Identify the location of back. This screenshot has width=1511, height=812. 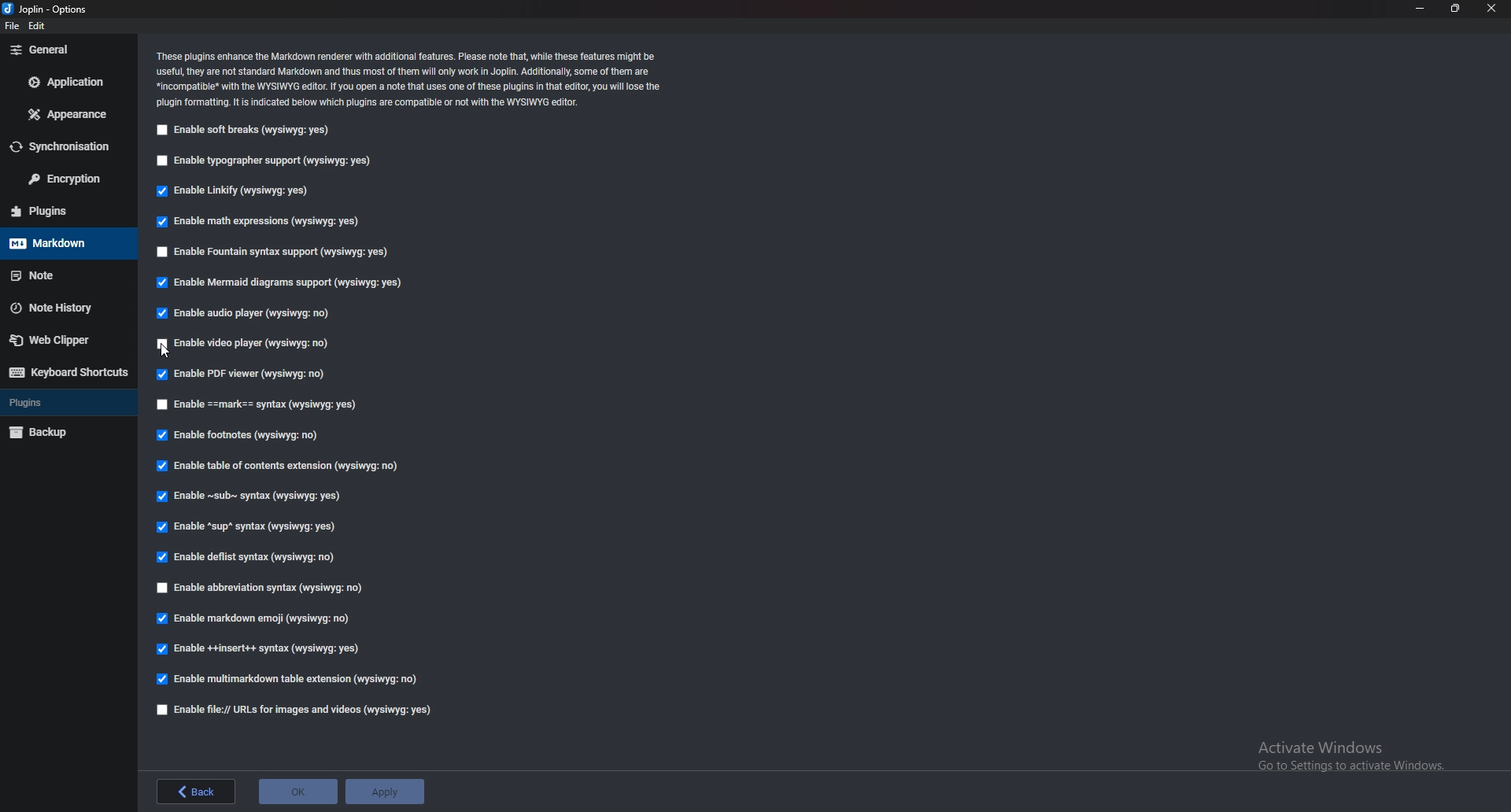
(197, 792).